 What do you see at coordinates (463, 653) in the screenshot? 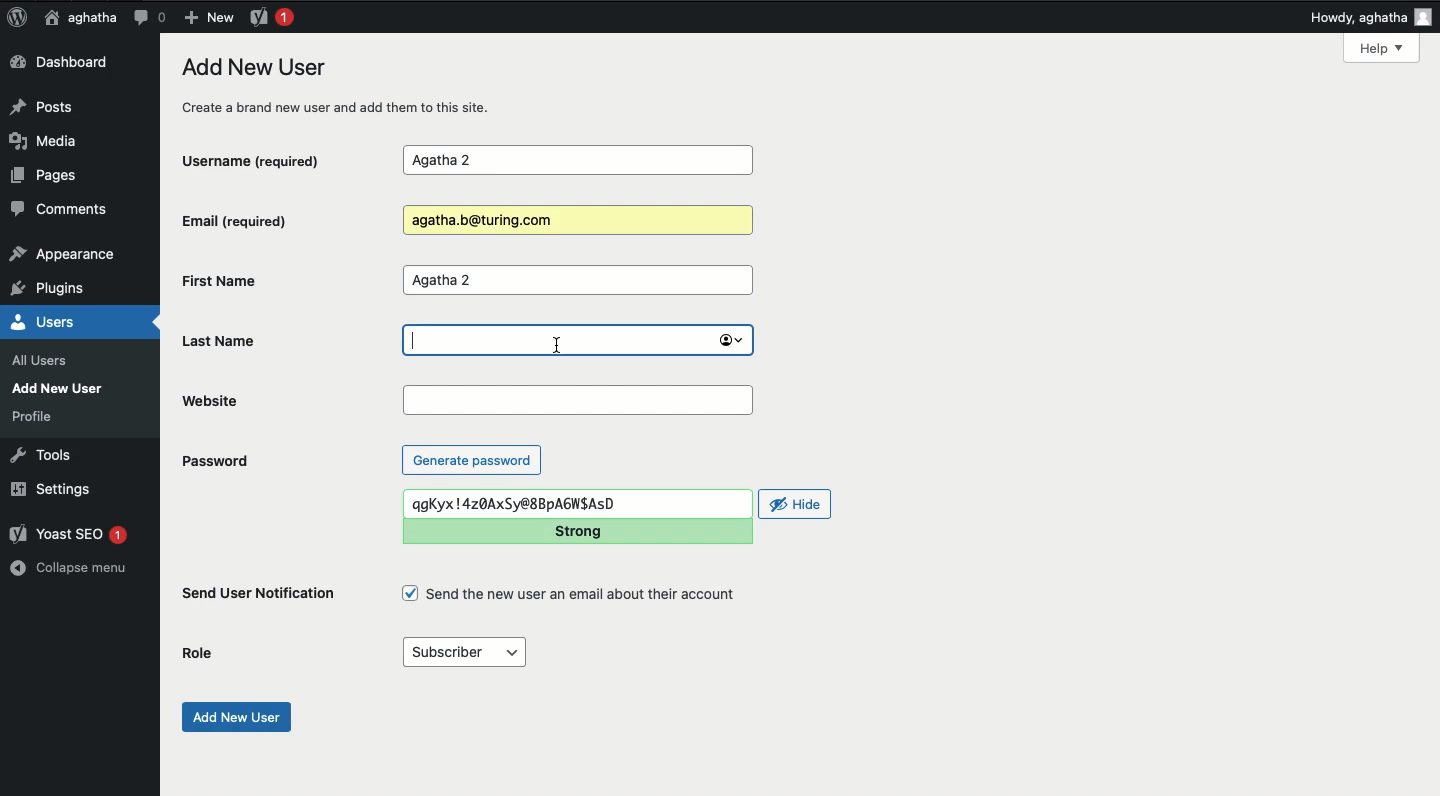
I see `Subscriber` at bounding box center [463, 653].